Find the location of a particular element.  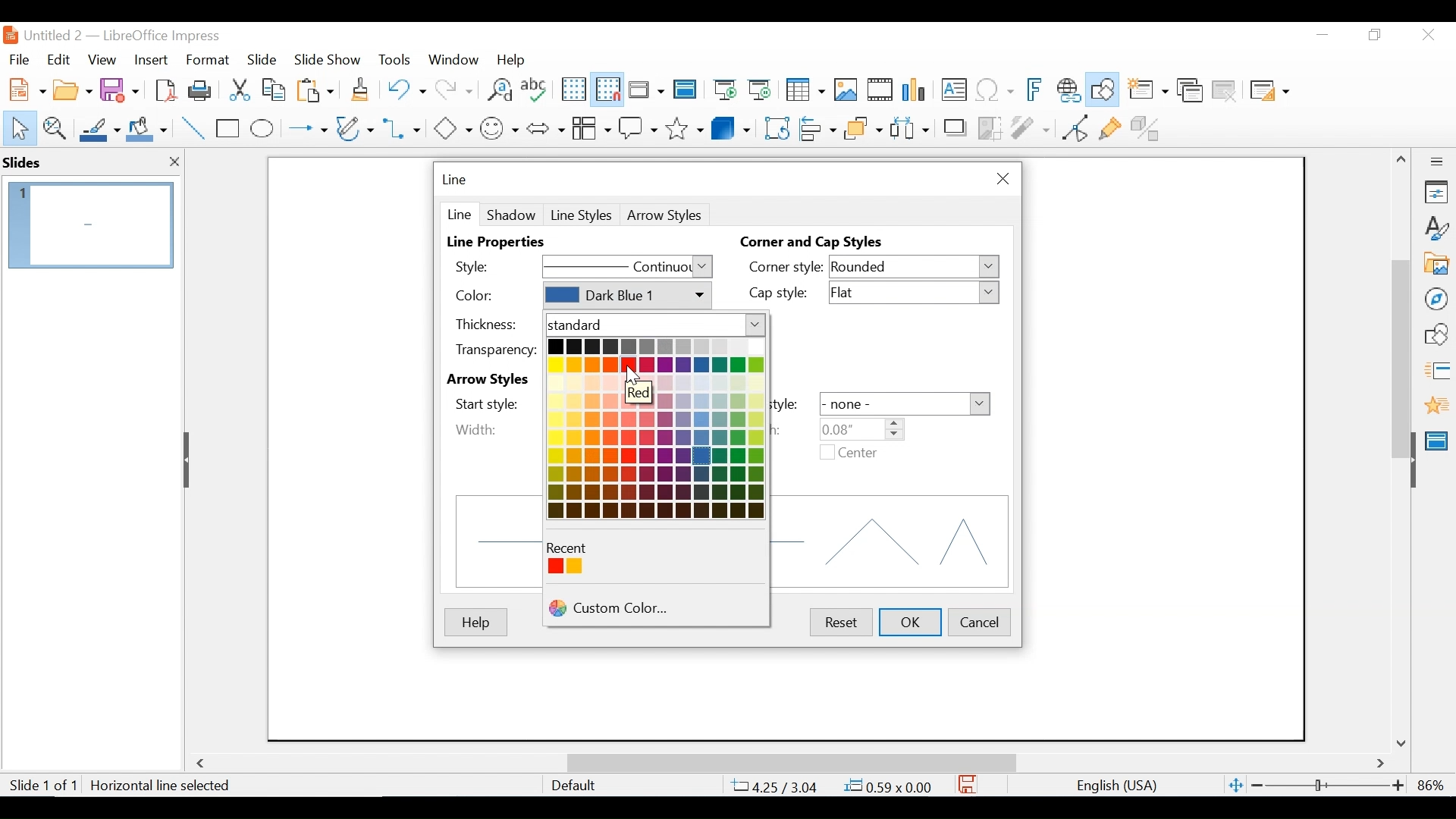

Horizontal Scrollbar is located at coordinates (790, 762).